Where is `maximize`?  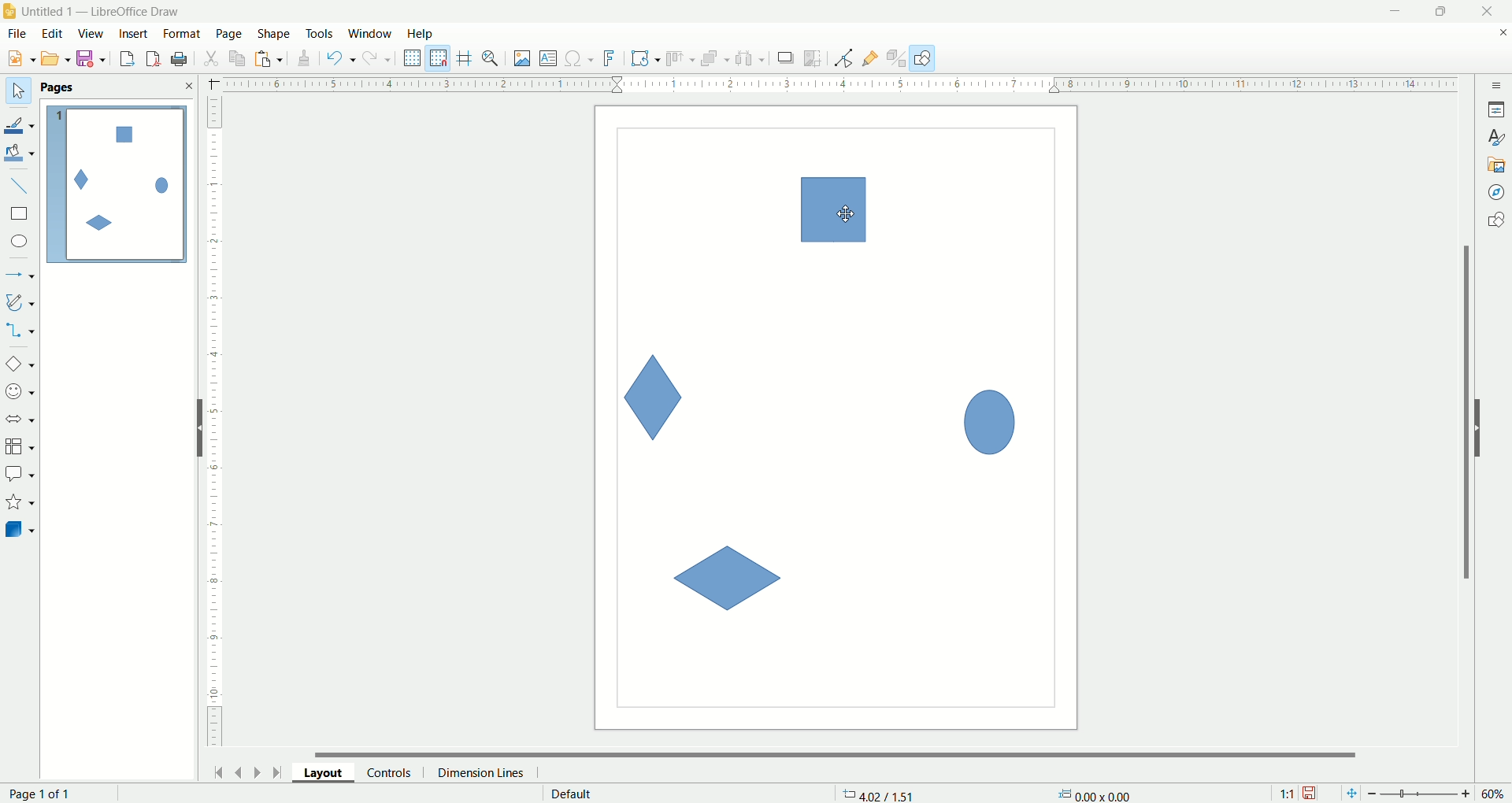
maximize is located at coordinates (1442, 11).